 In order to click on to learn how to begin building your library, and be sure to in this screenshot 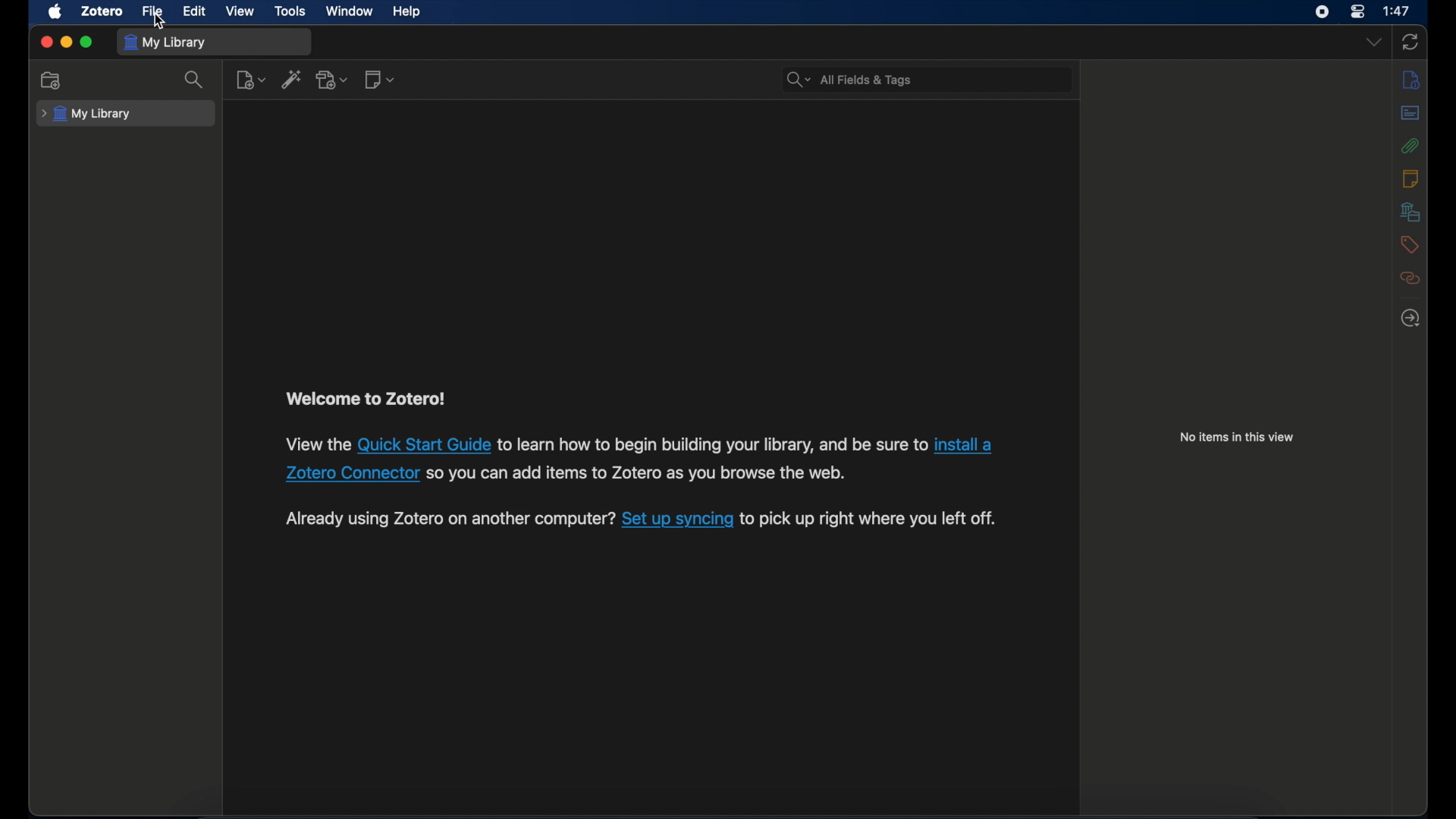, I will do `click(713, 444)`.